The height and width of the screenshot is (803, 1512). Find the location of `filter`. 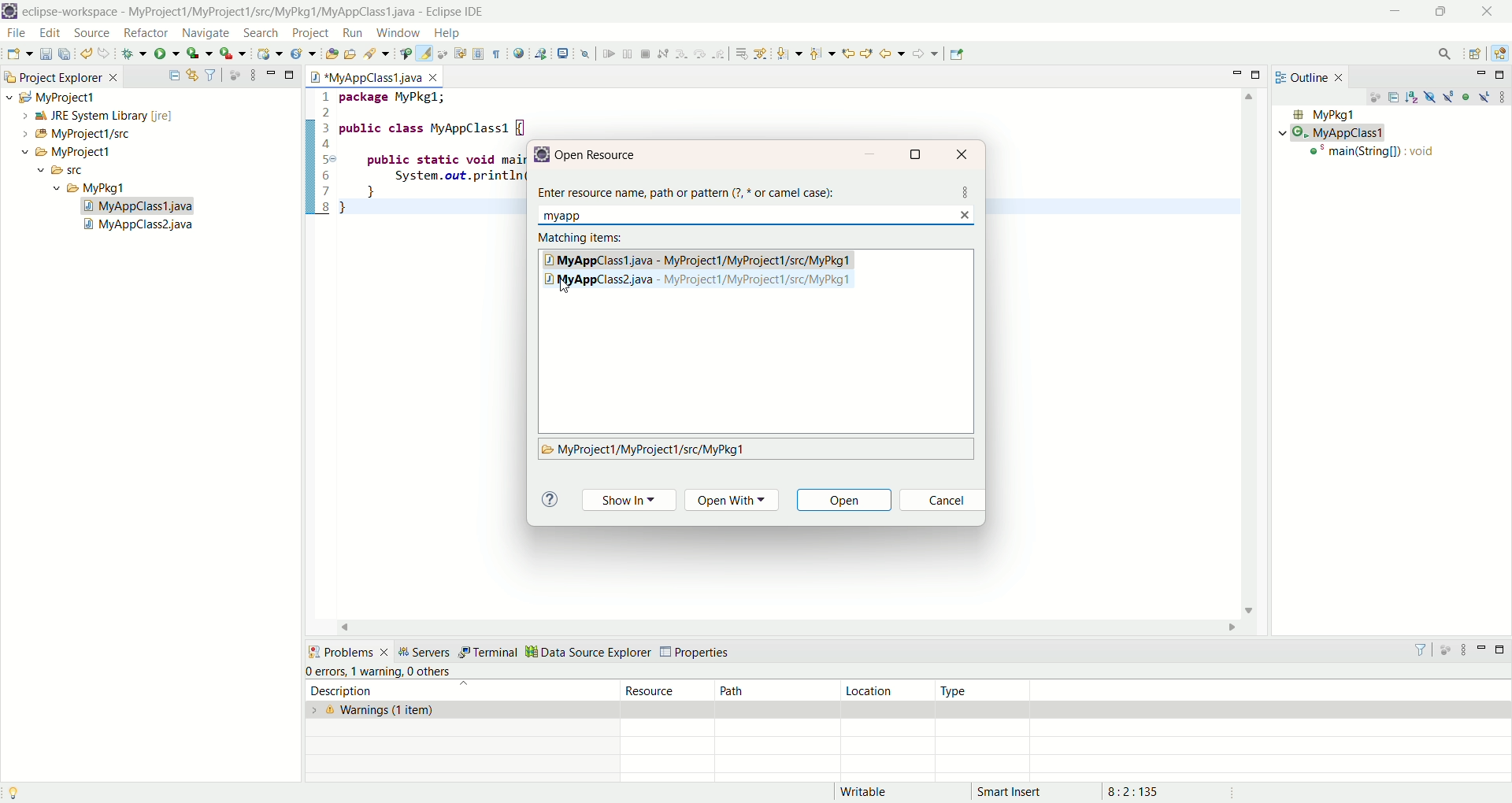

filter is located at coordinates (1424, 649).